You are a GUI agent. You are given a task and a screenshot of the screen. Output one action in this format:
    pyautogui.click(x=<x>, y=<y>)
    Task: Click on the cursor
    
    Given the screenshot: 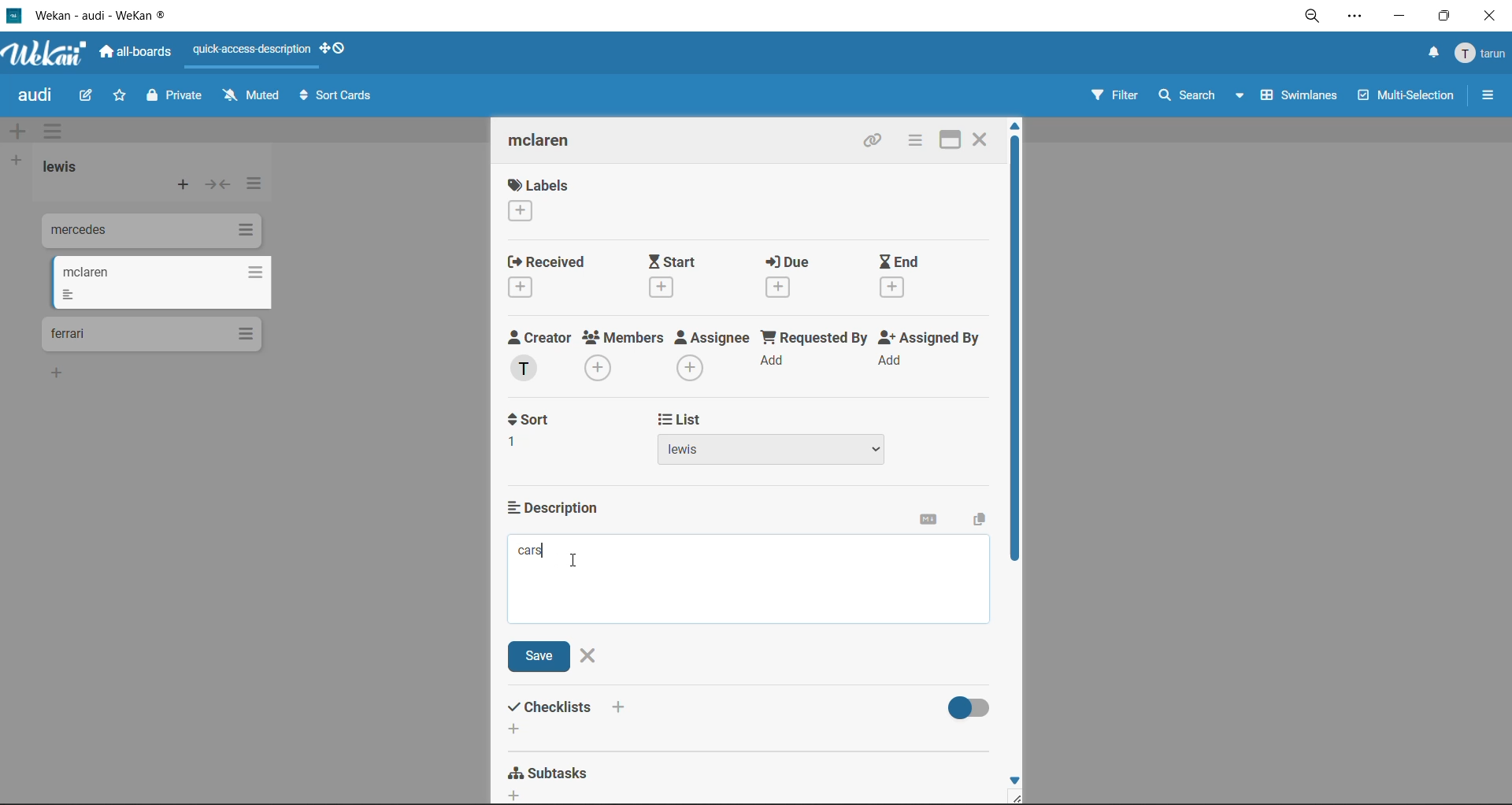 What is the action you would take?
    pyautogui.click(x=575, y=560)
    